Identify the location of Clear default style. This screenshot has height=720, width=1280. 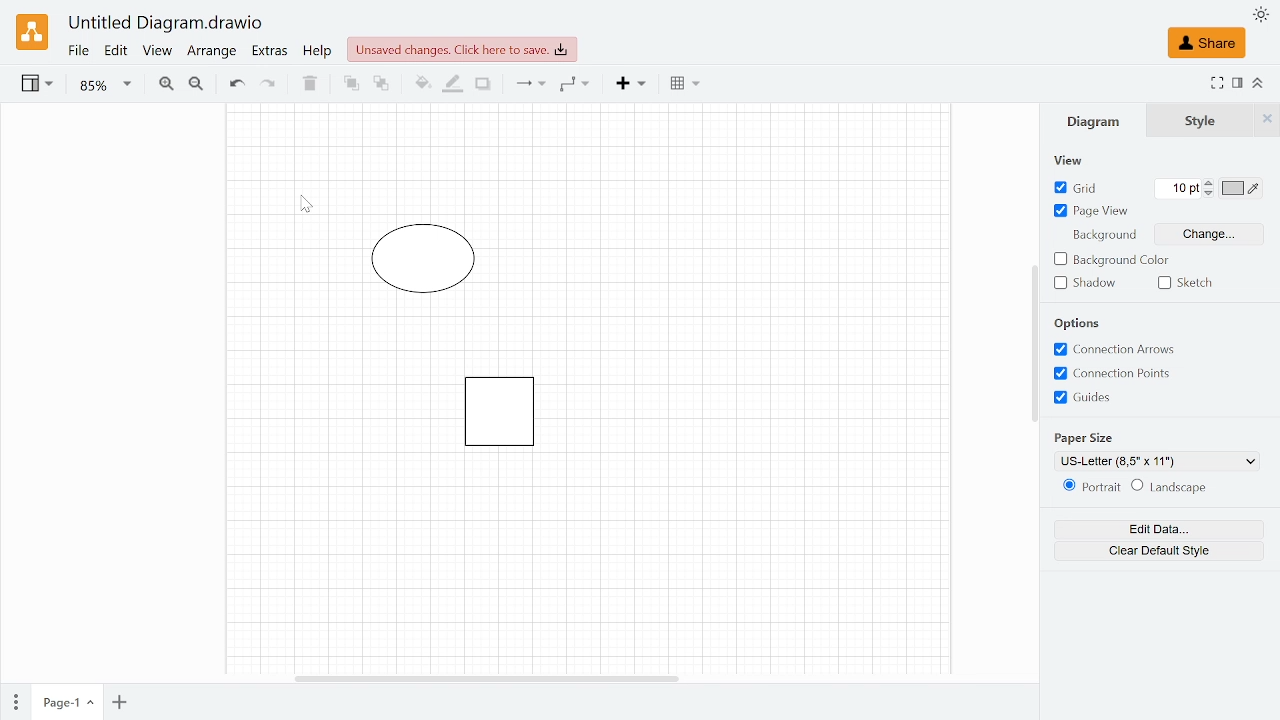
(1158, 551).